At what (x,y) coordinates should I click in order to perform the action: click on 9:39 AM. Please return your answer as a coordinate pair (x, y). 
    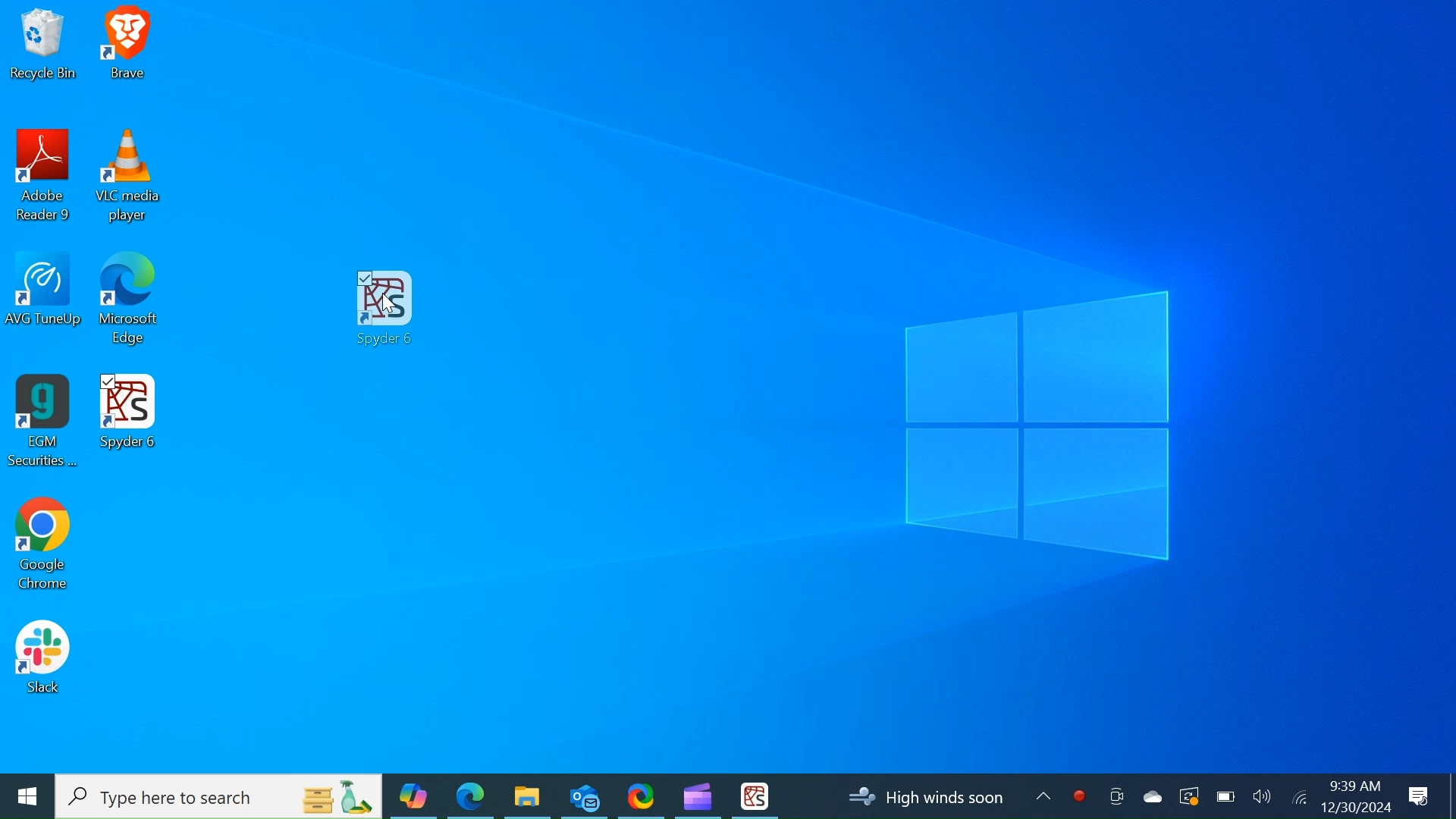
    Looking at the image, I should click on (1354, 786).